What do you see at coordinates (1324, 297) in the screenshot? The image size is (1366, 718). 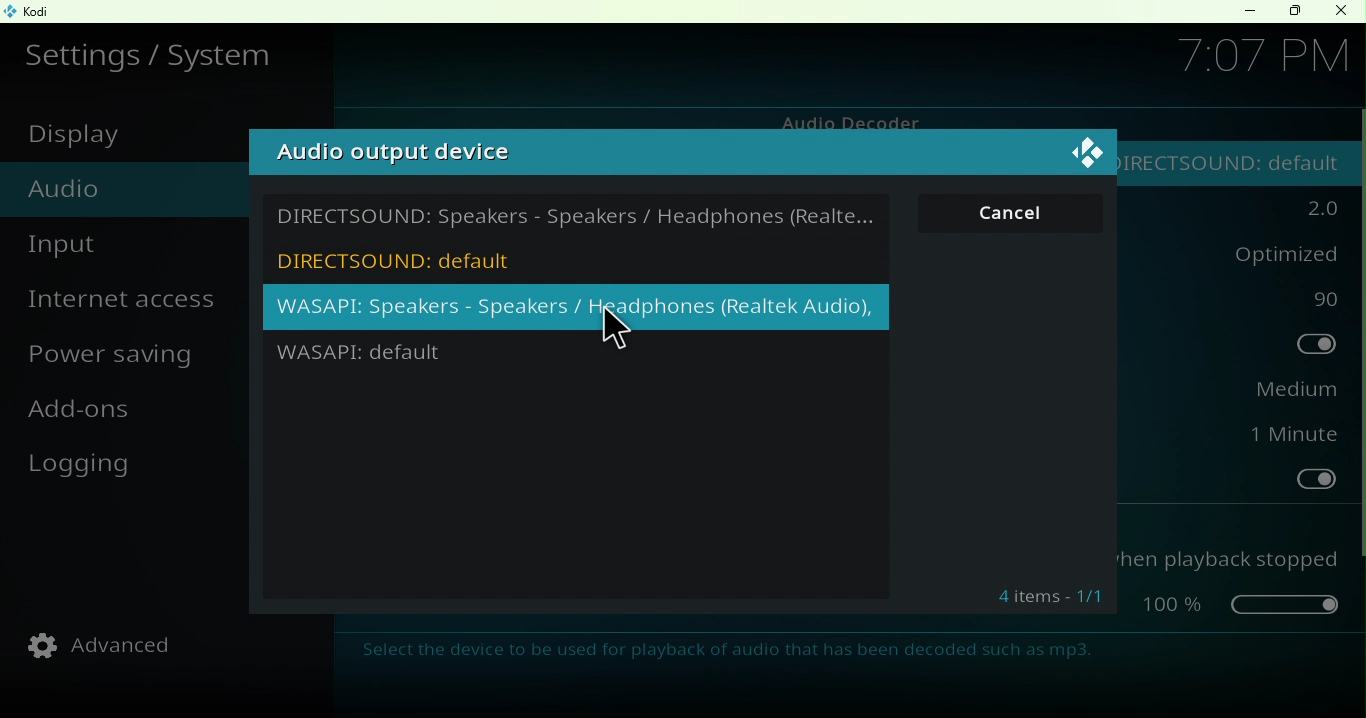 I see `90` at bounding box center [1324, 297].